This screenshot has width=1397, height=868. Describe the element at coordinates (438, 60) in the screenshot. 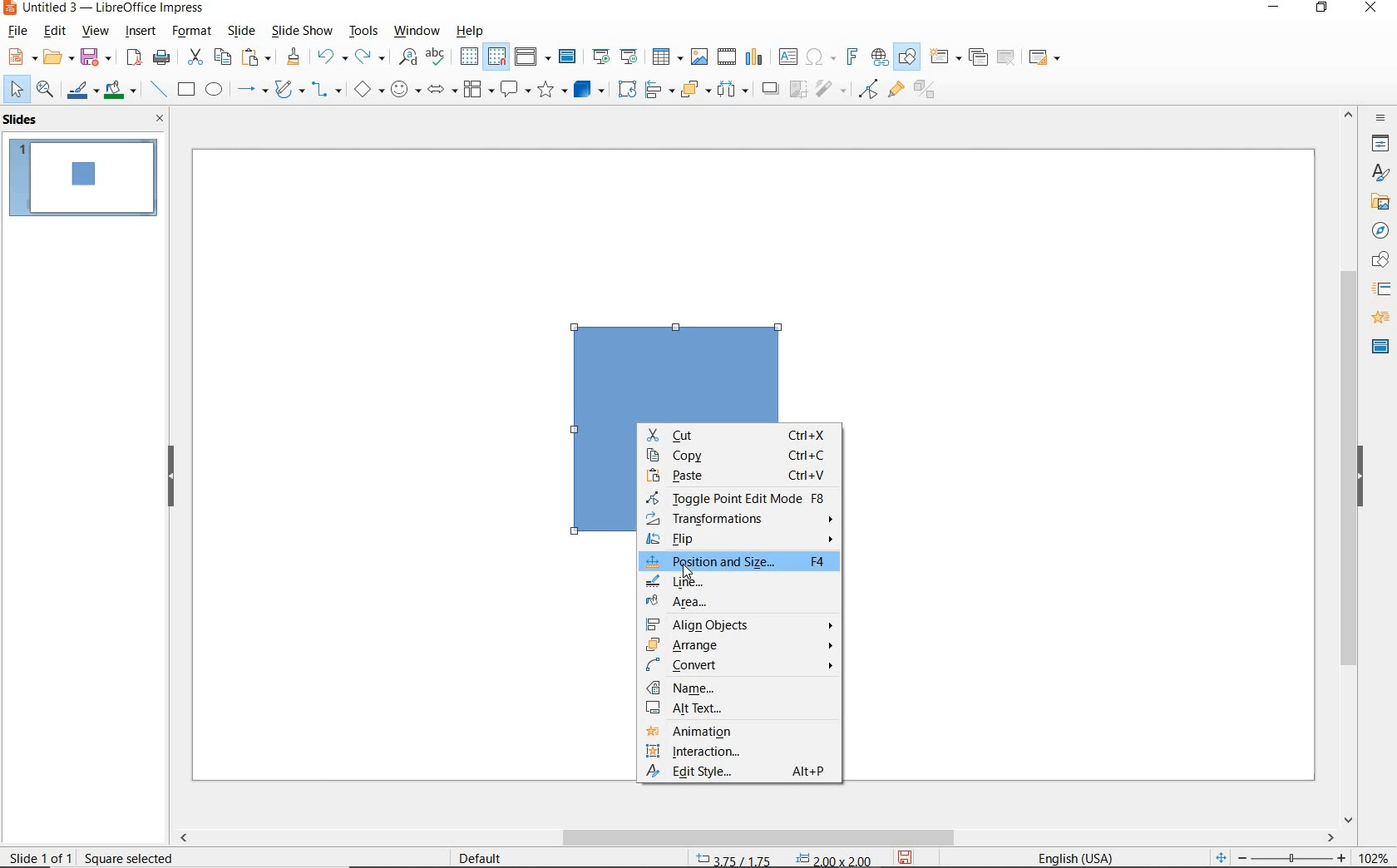

I see `spelling` at that location.